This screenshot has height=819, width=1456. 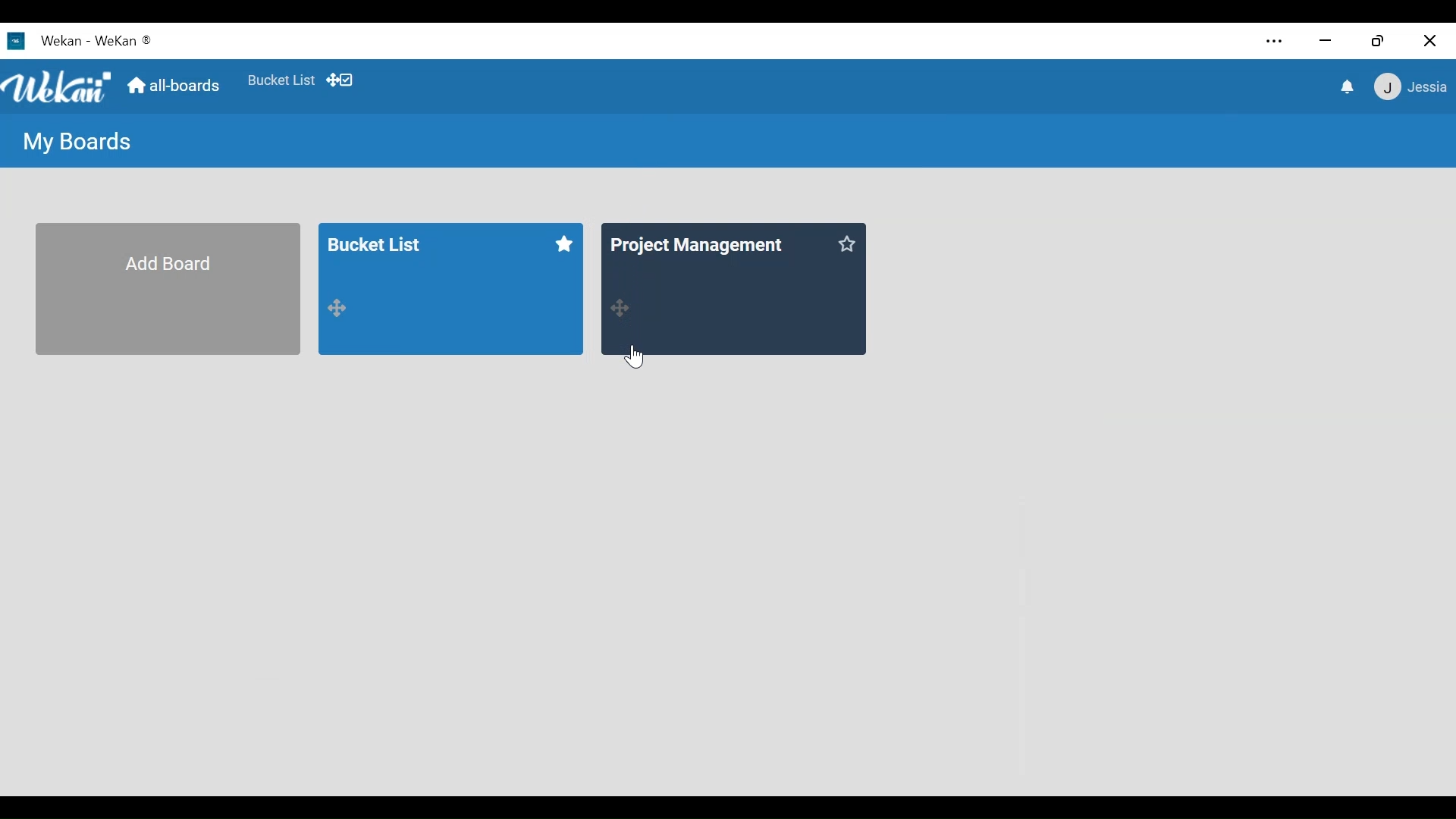 What do you see at coordinates (174, 86) in the screenshot?
I see `all boards` at bounding box center [174, 86].